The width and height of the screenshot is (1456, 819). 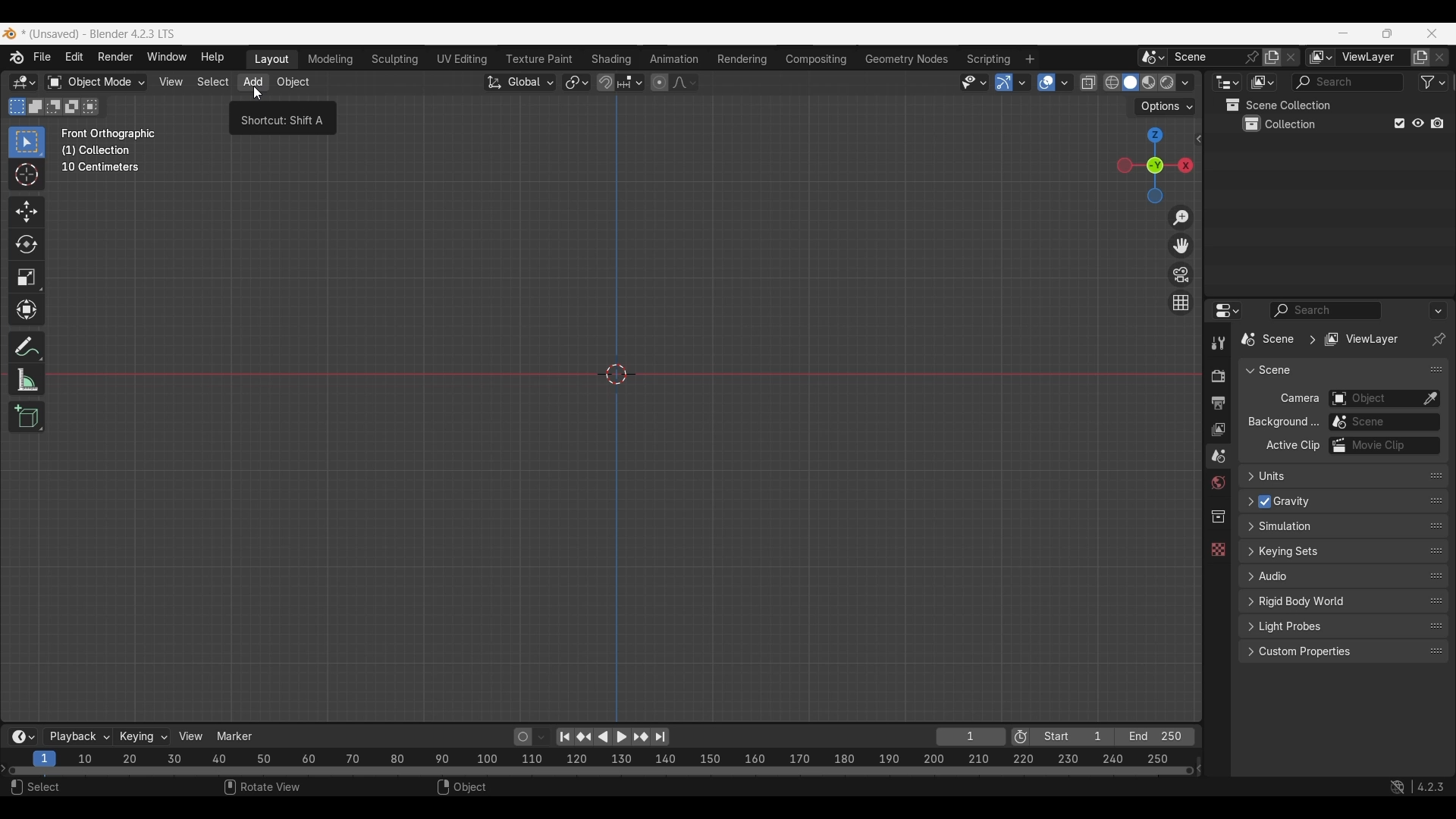 I want to click on Viewport shading, material preview, so click(x=1148, y=82).